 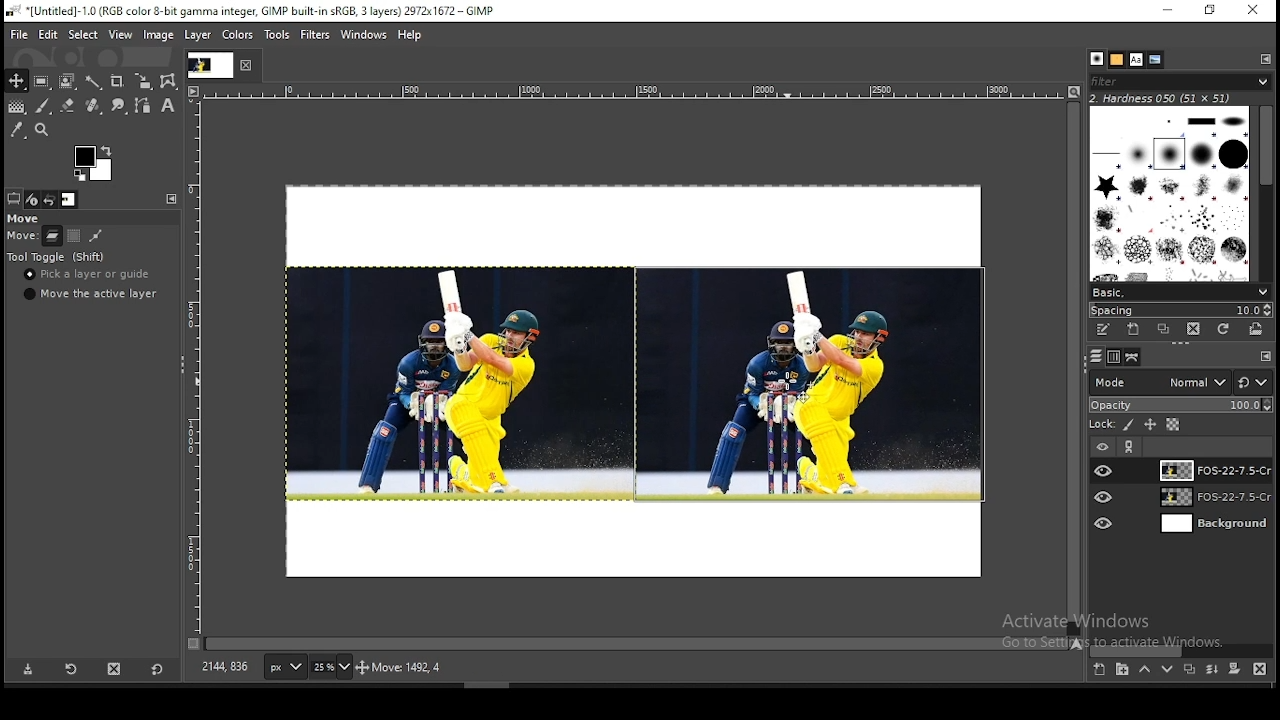 What do you see at coordinates (50, 34) in the screenshot?
I see `edit` at bounding box center [50, 34].